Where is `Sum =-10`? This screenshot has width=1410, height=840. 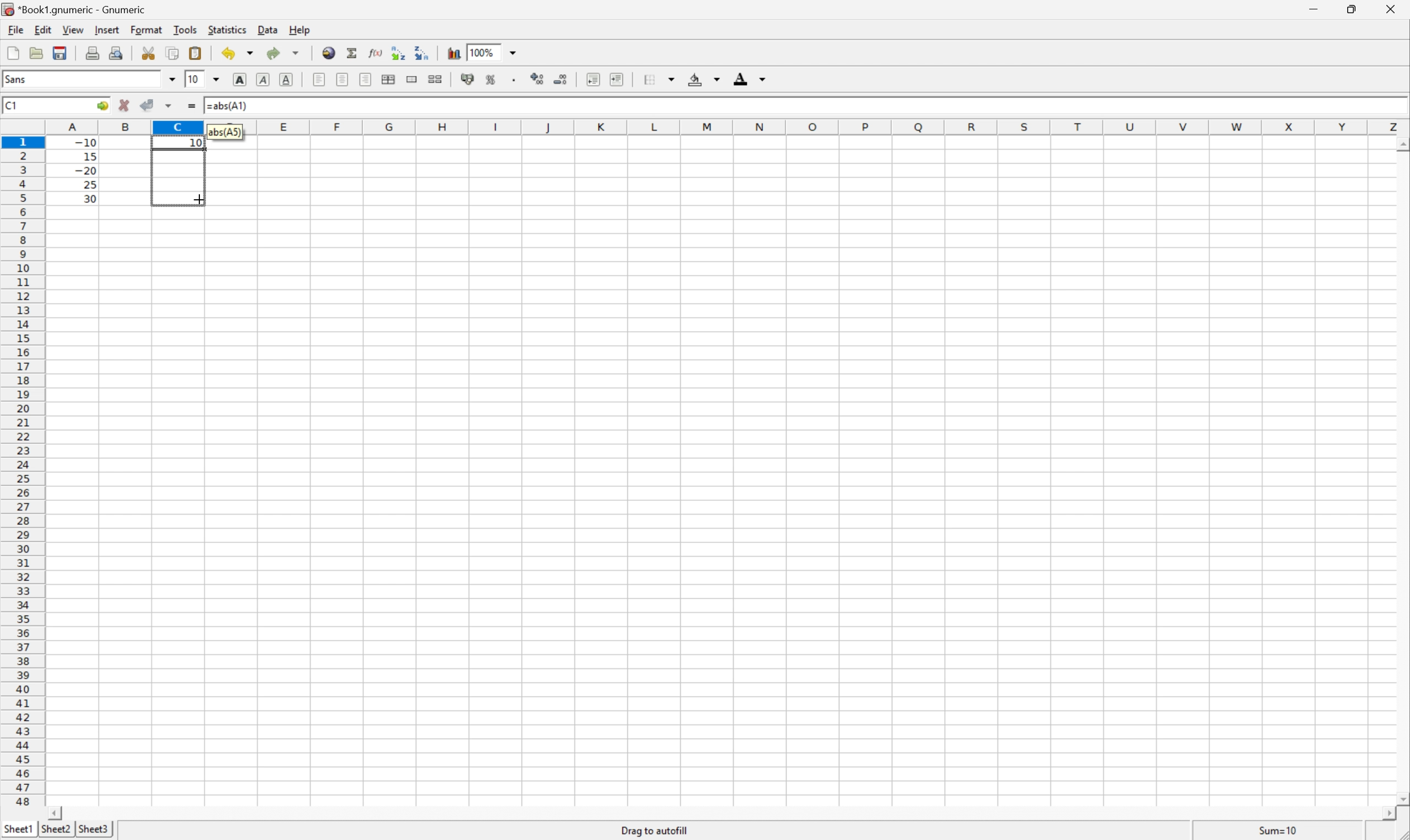 Sum =-10 is located at coordinates (1279, 831).